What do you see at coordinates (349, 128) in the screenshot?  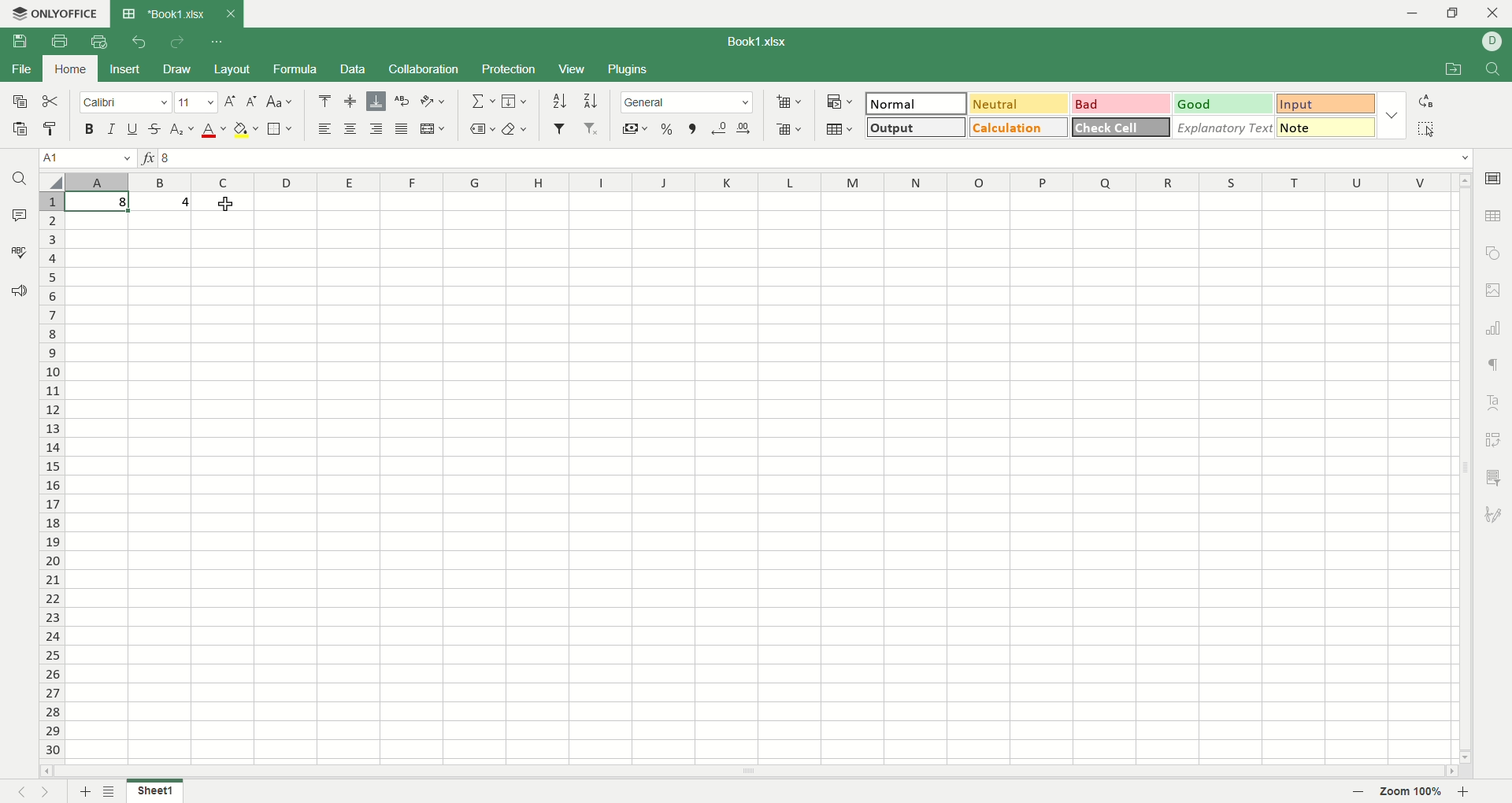 I see `align center` at bounding box center [349, 128].